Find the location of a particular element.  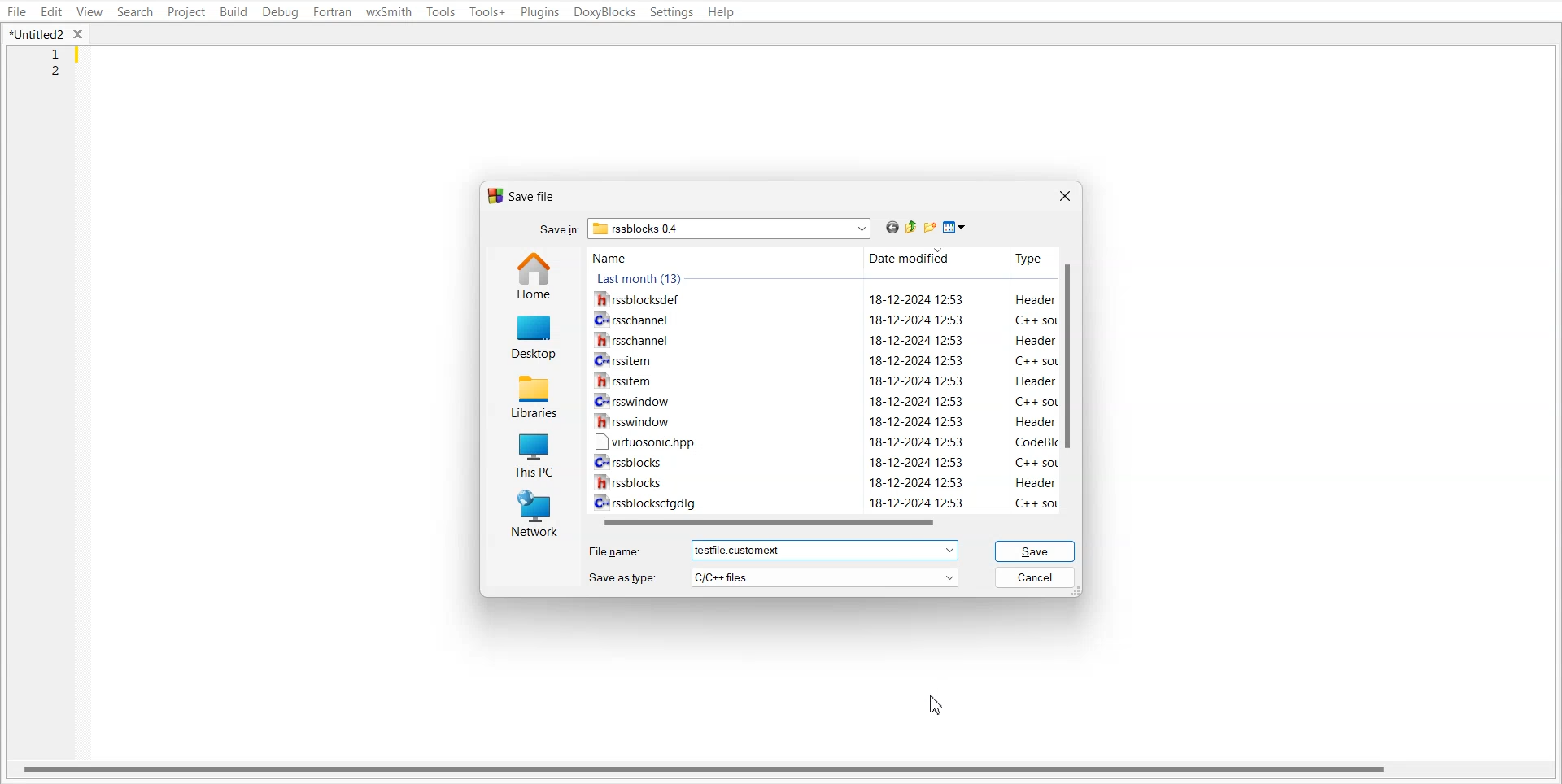

Debug is located at coordinates (281, 11).